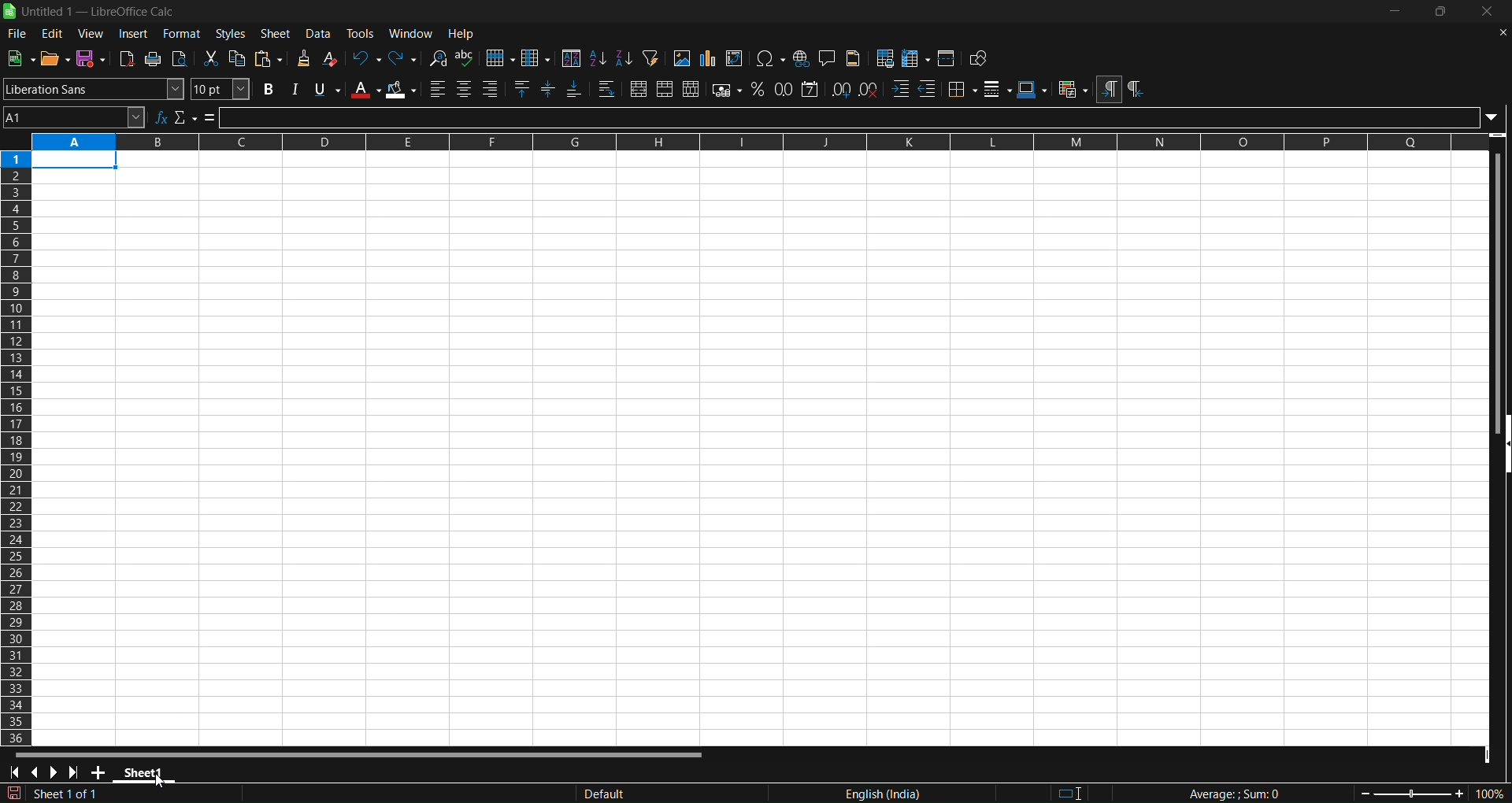  Describe the element at coordinates (650, 57) in the screenshot. I see `auto filter` at that location.